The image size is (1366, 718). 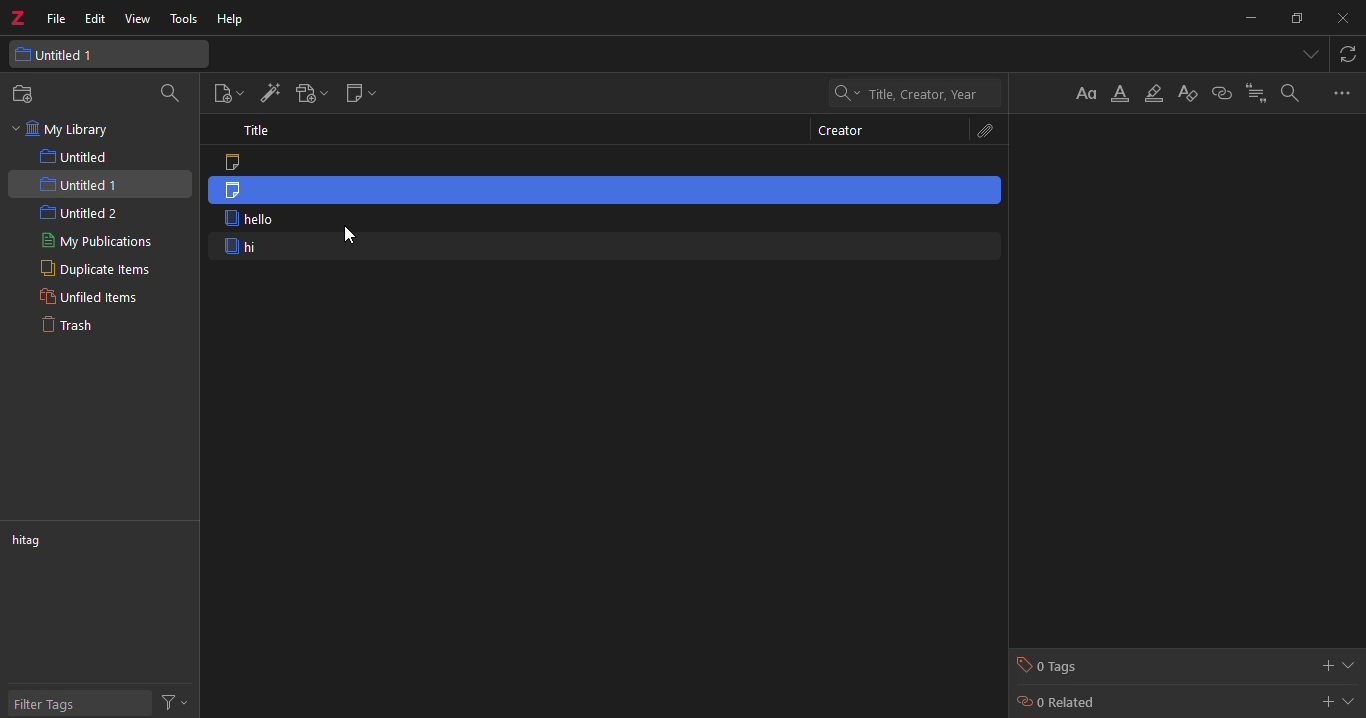 I want to click on hello, so click(x=263, y=219).